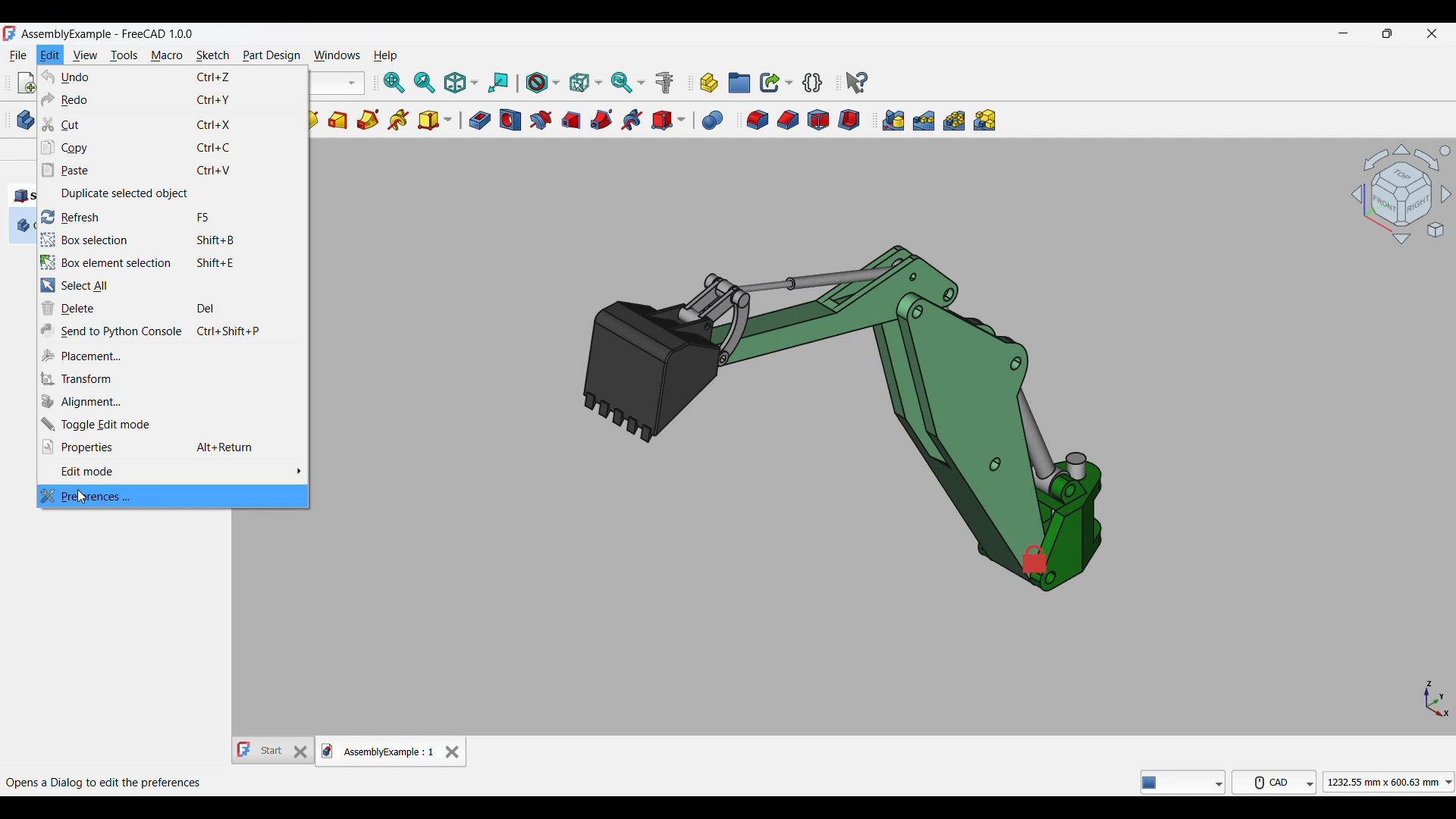  Describe the element at coordinates (1183, 782) in the screenshot. I see `Type, Notifier, Message details` at that location.